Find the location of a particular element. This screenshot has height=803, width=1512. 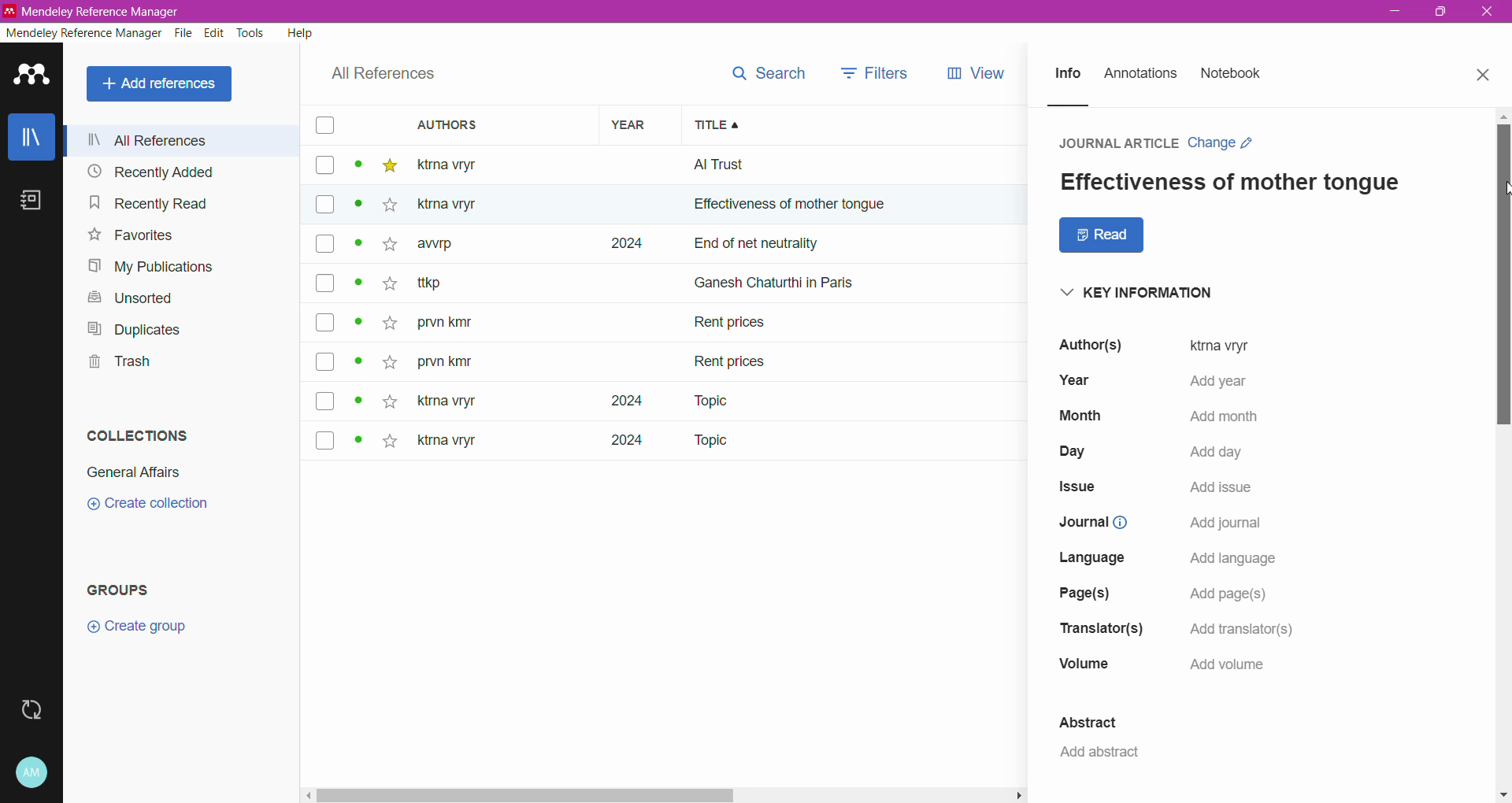

Vertical Scroll Bar is located at coordinates (1503, 455).